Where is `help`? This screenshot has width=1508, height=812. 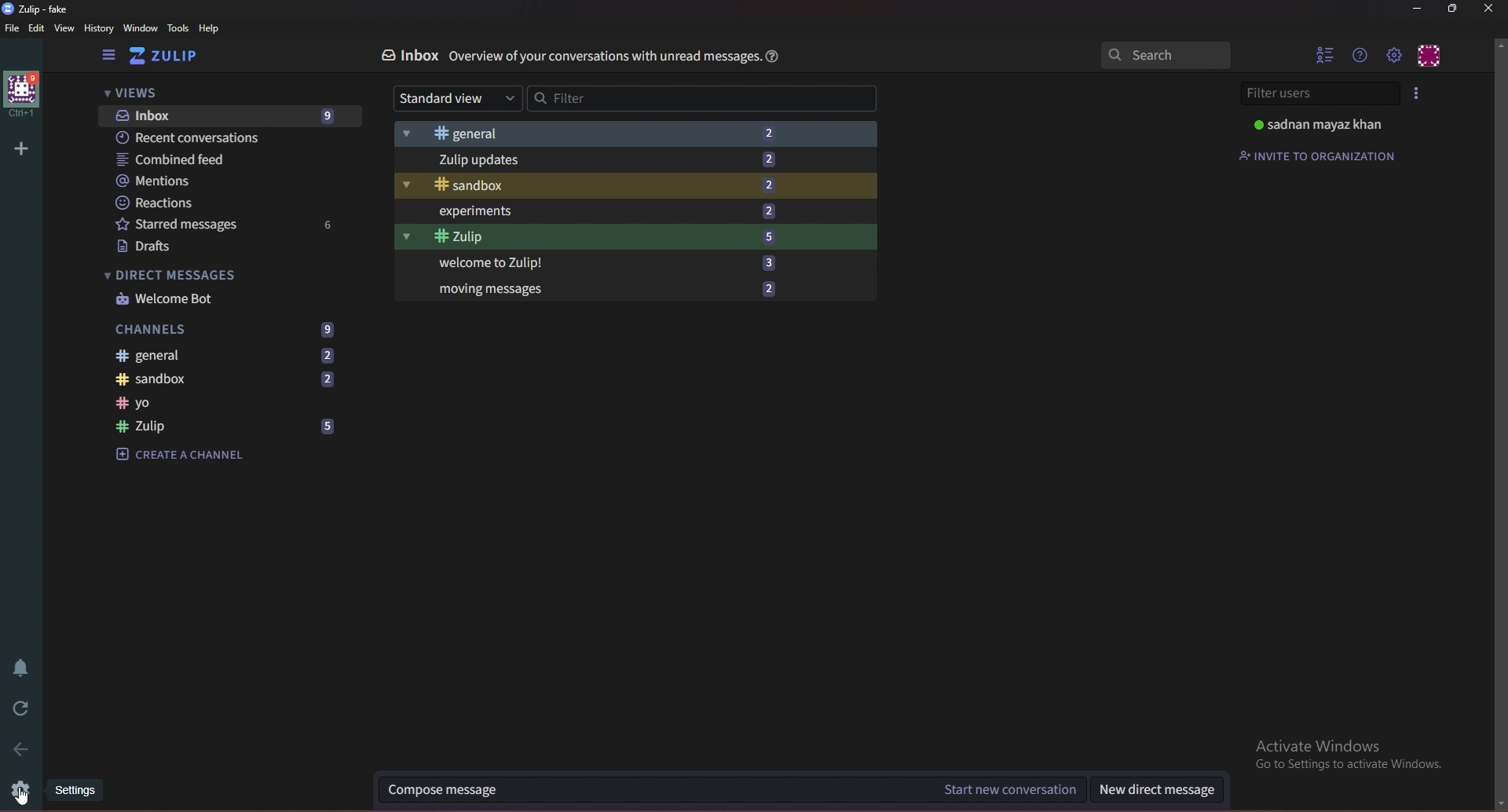 help is located at coordinates (213, 28).